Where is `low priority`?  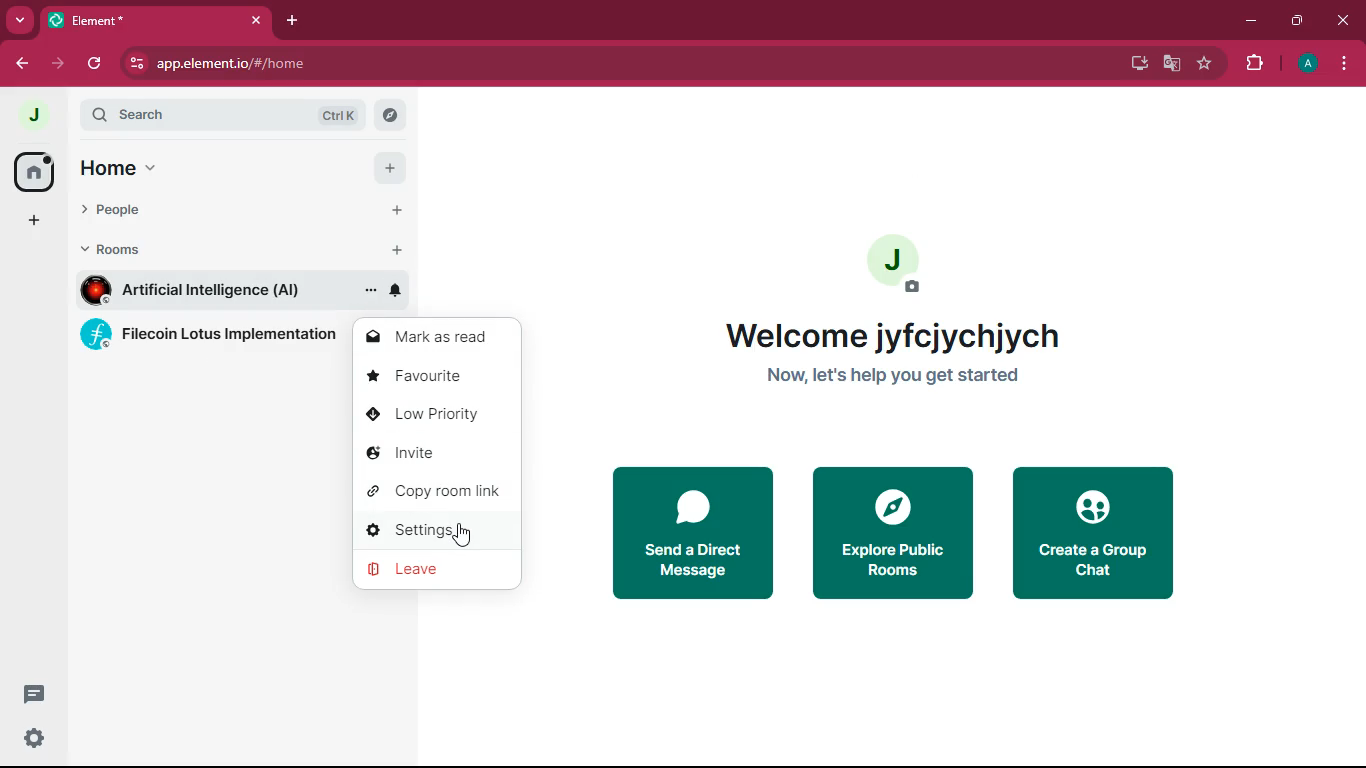 low priority is located at coordinates (439, 412).